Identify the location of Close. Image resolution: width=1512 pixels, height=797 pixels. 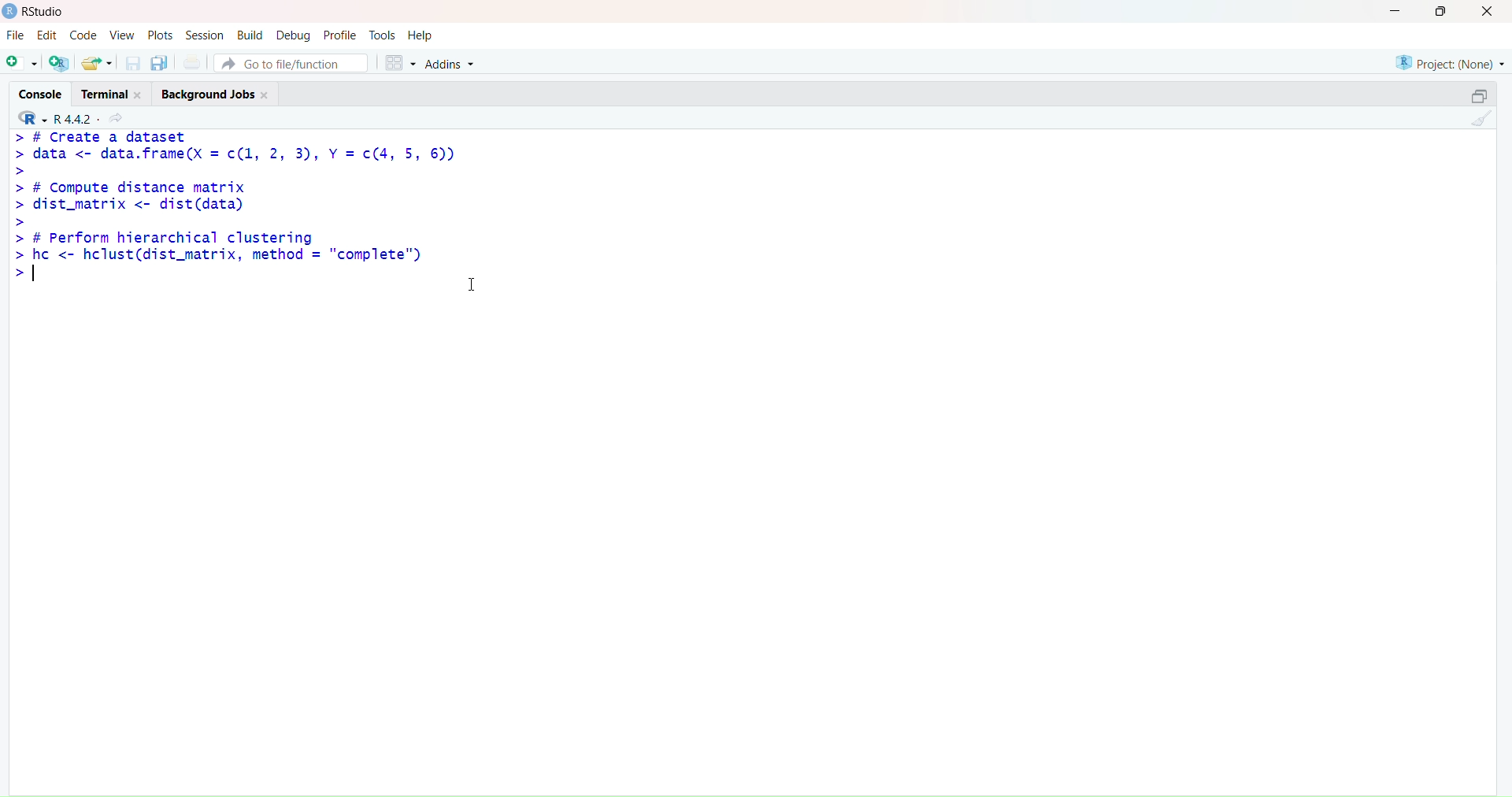
(1487, 16).